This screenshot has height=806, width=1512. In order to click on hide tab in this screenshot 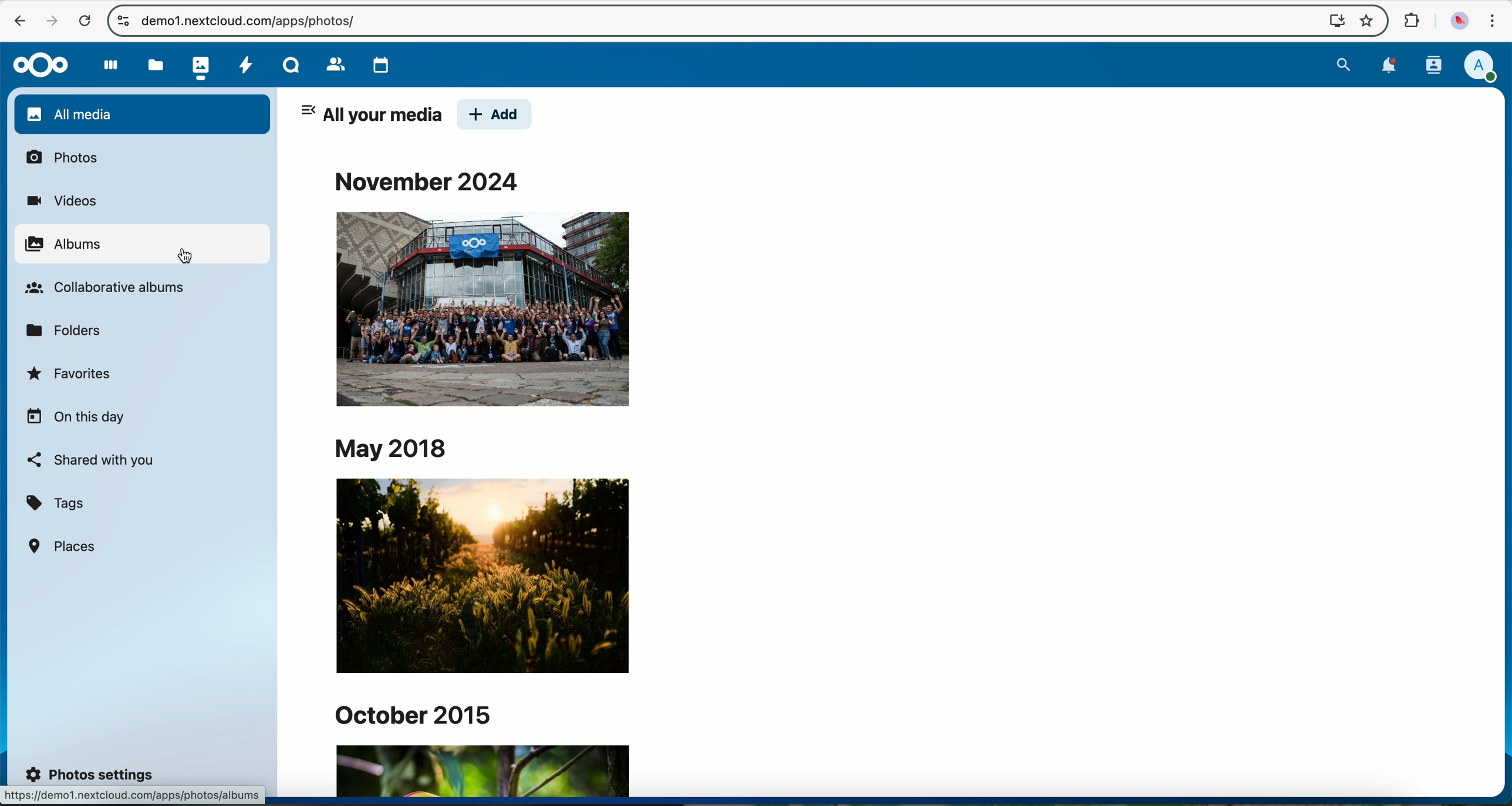, I will do `click(306, 109)`.